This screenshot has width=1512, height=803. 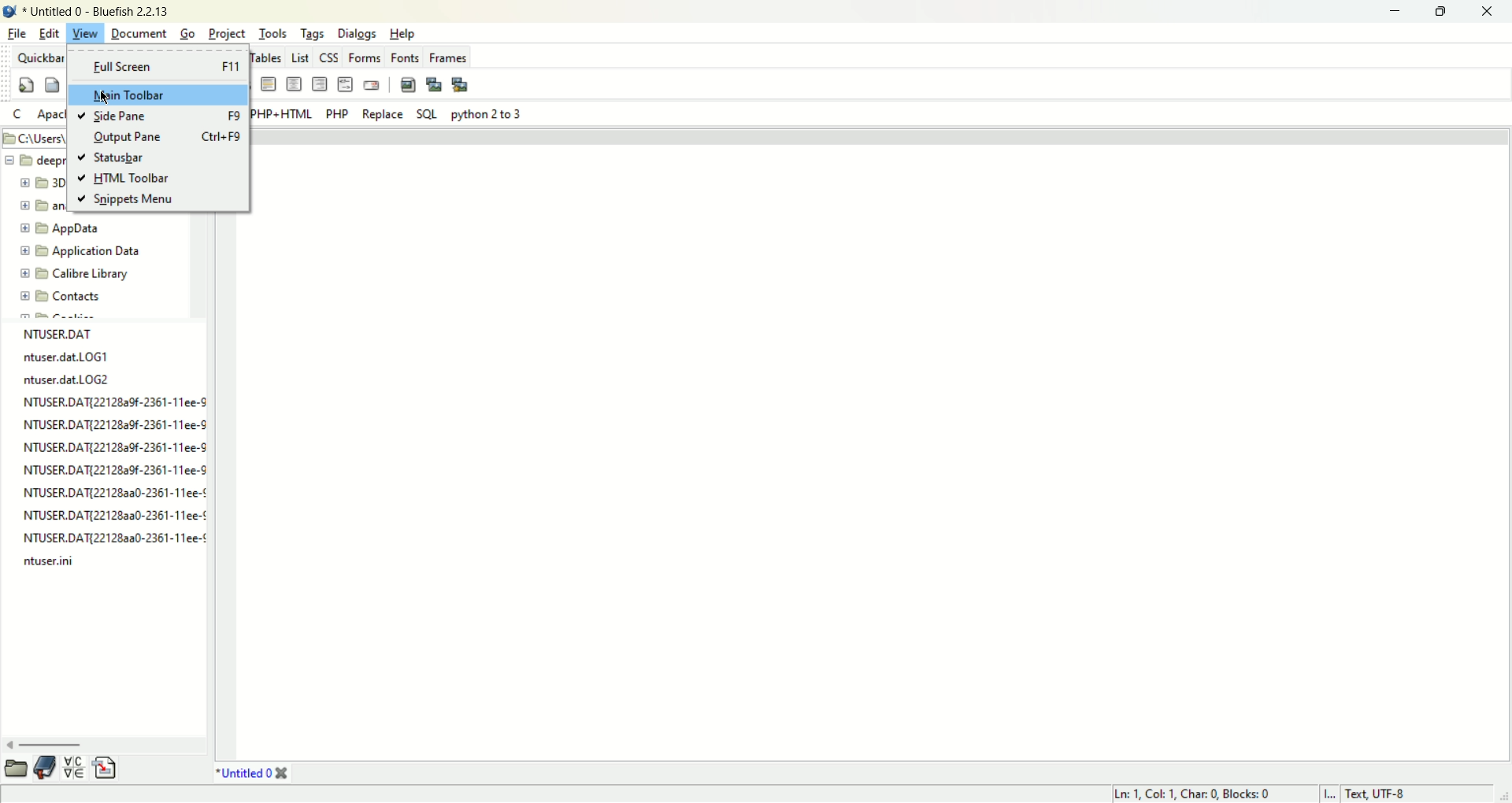 I want to click on fullscreen, so click(x=157, y=67).